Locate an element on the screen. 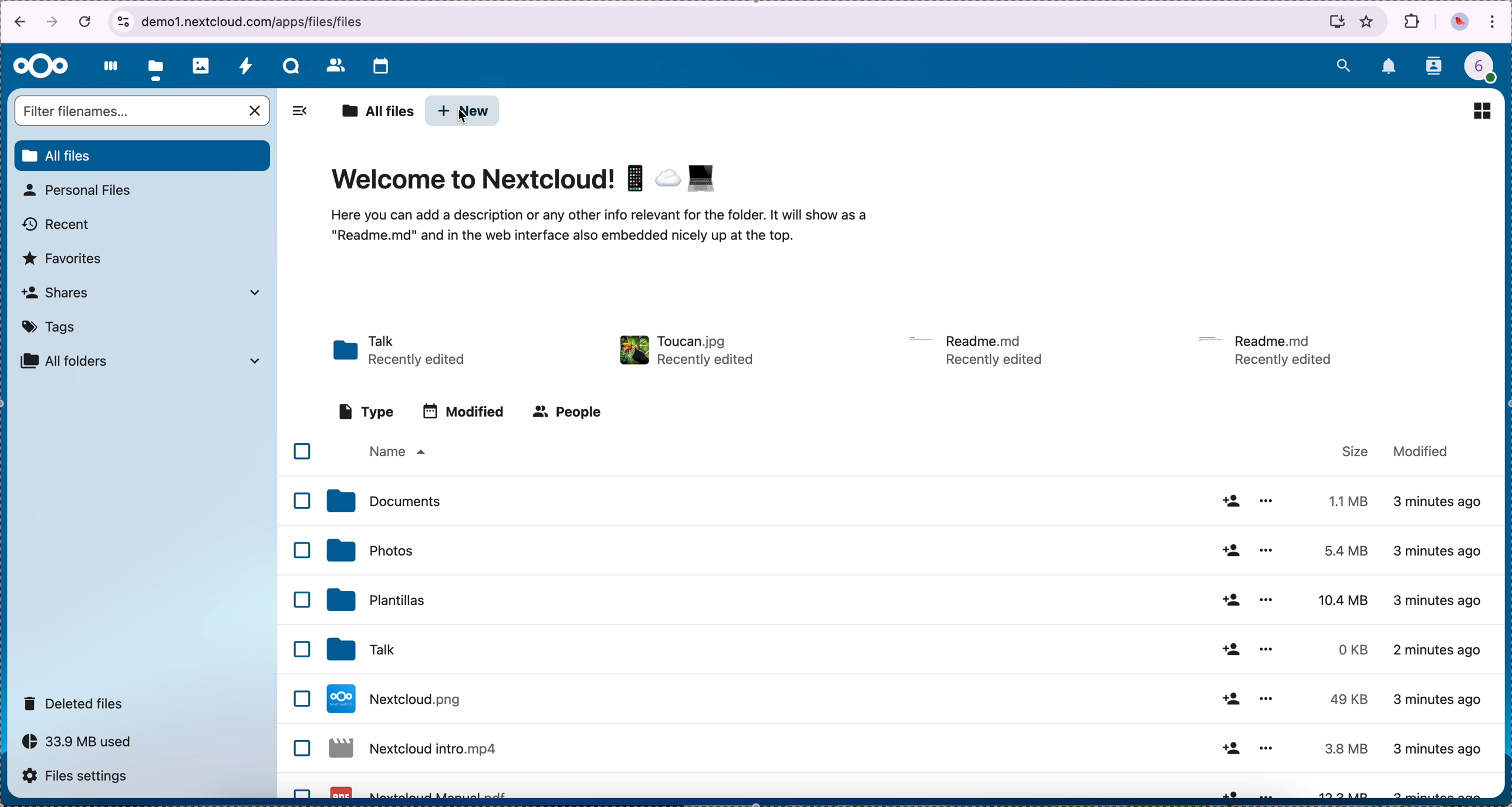  all folders is located at coordinates (141, 361).